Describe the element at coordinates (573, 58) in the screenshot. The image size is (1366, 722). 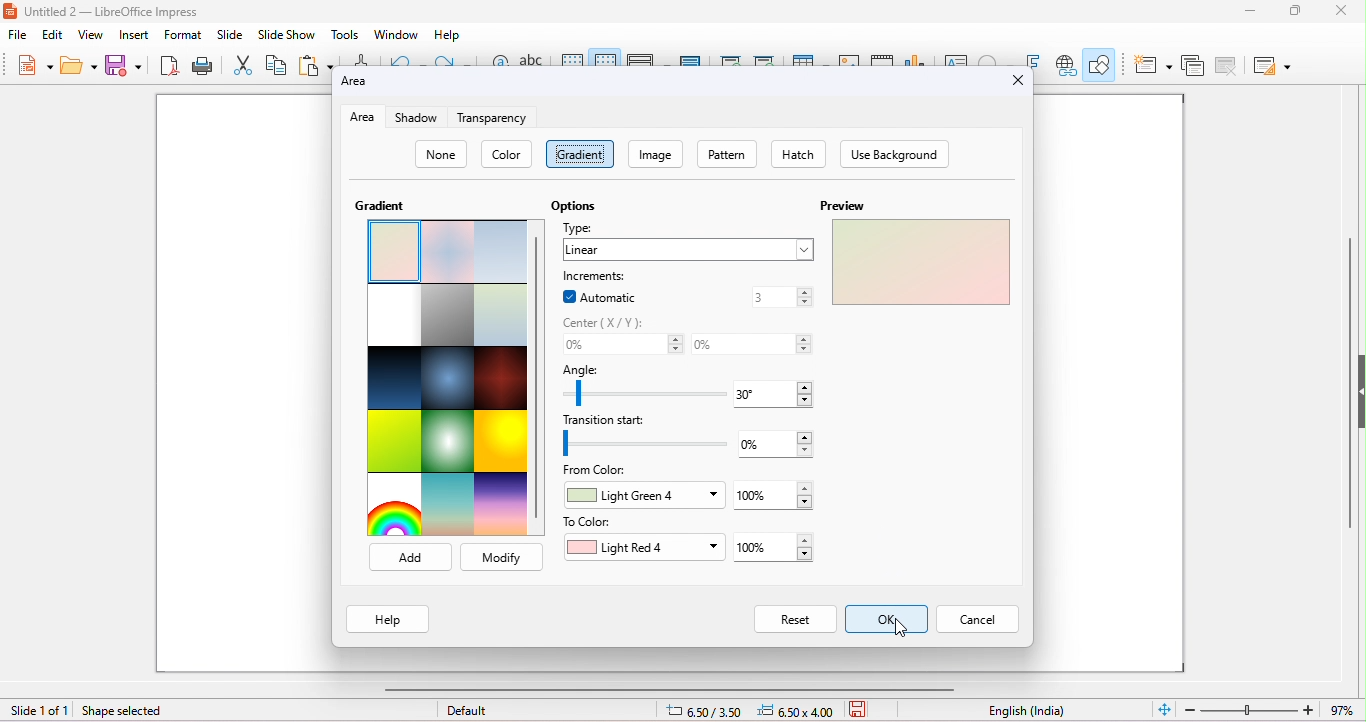
I see `display grid` at that location.